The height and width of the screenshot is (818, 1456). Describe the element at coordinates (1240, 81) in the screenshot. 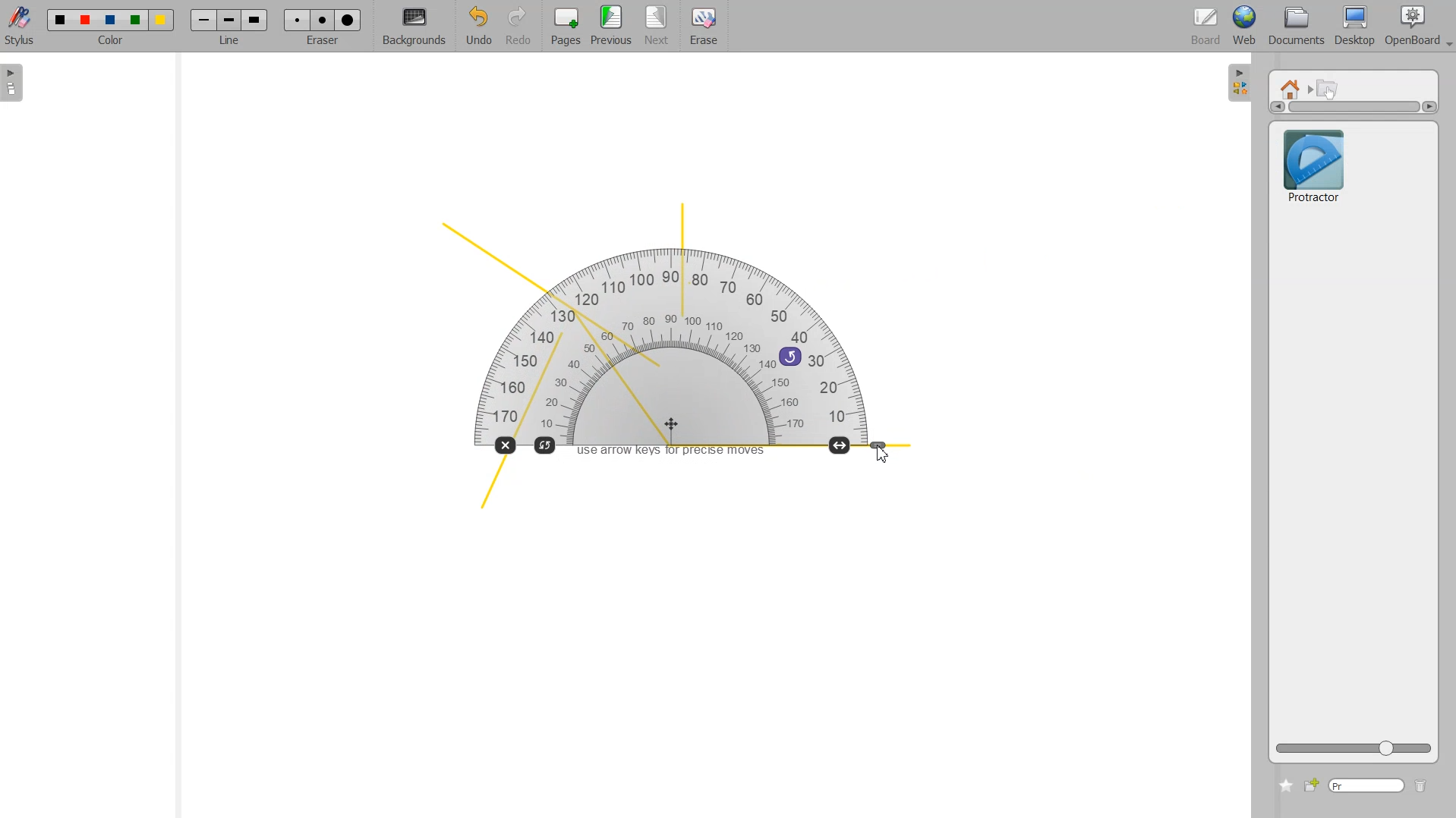

I see `Sidebar` at that location.